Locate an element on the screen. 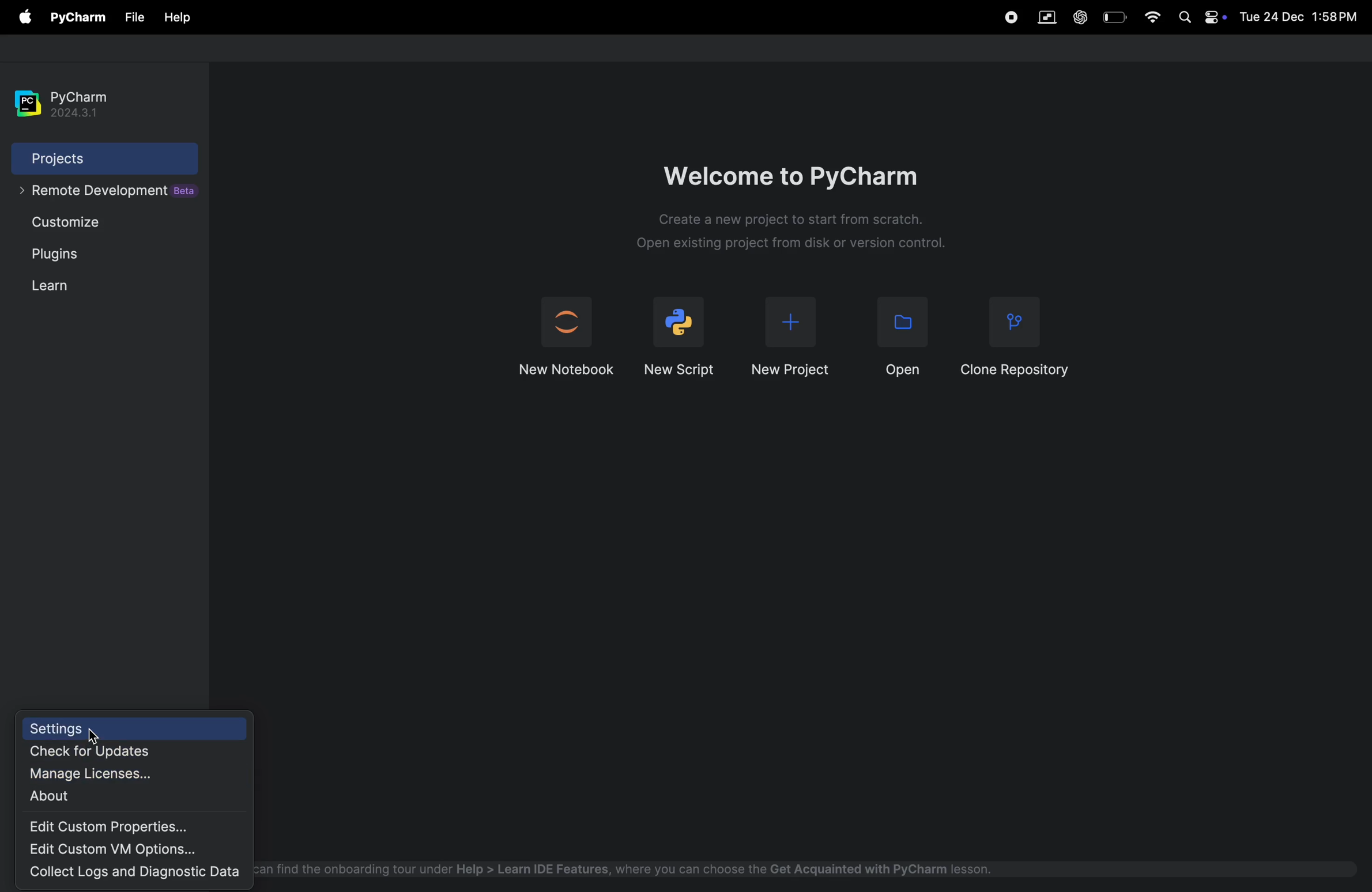 This screenshot has height=892, width=1372. new project is located at coordinates (682, 334).